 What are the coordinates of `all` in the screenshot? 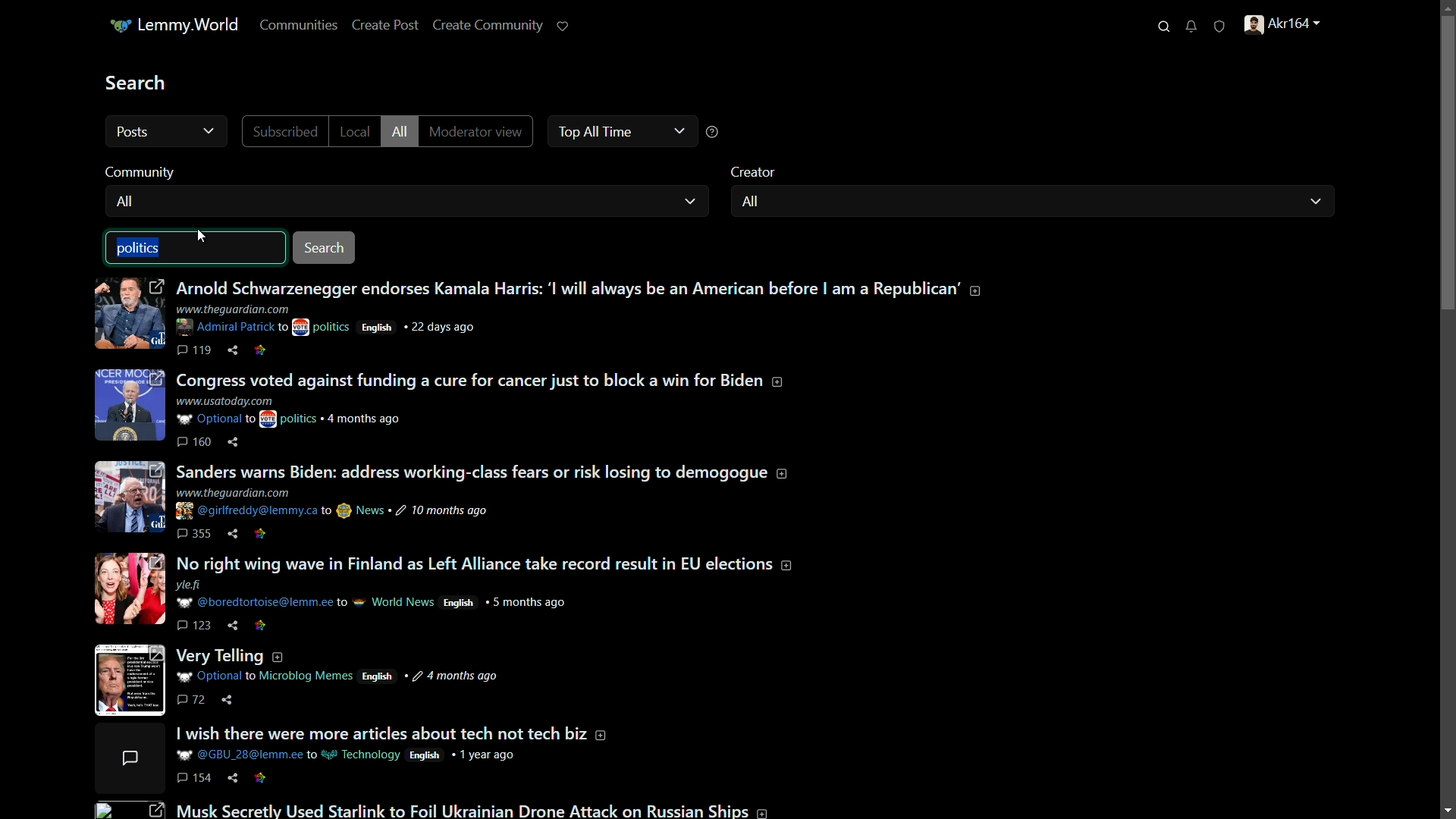 It's located at (403, 132).